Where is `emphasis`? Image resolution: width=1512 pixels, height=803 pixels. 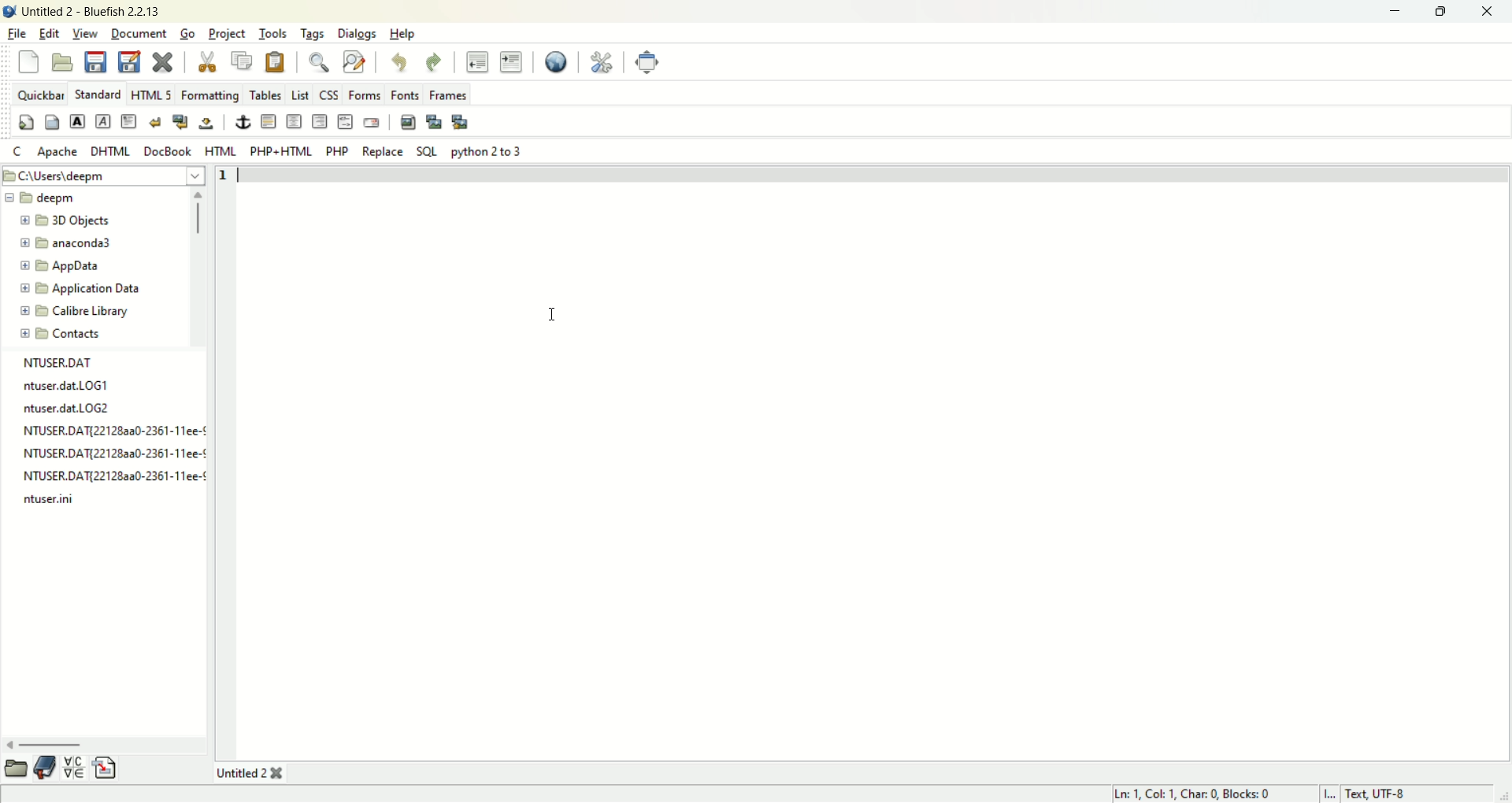 emphasis is located at coordinates (106, 122).